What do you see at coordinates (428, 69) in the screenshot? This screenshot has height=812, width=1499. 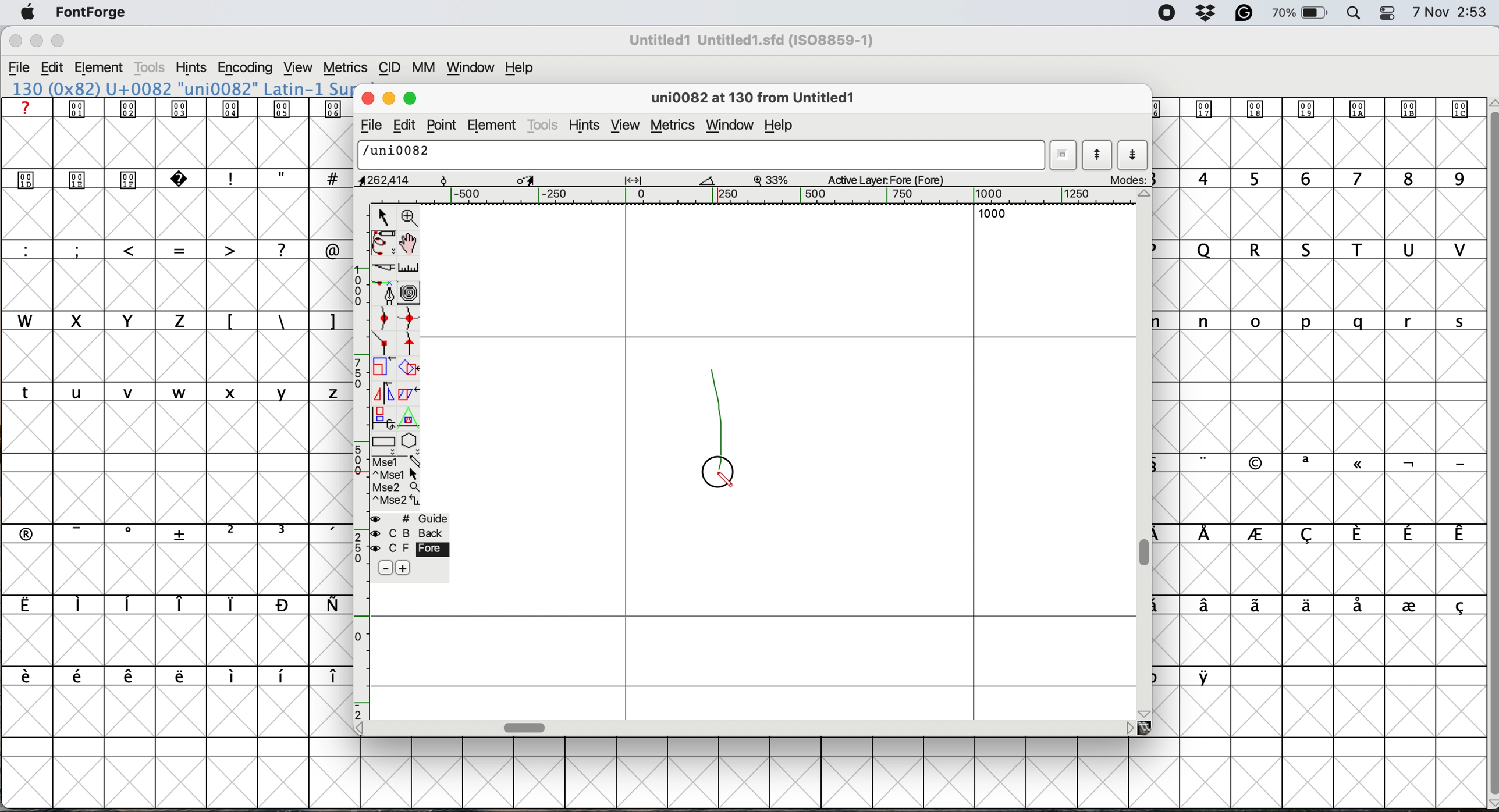 I see `mm` at bounding box center [428, 69].